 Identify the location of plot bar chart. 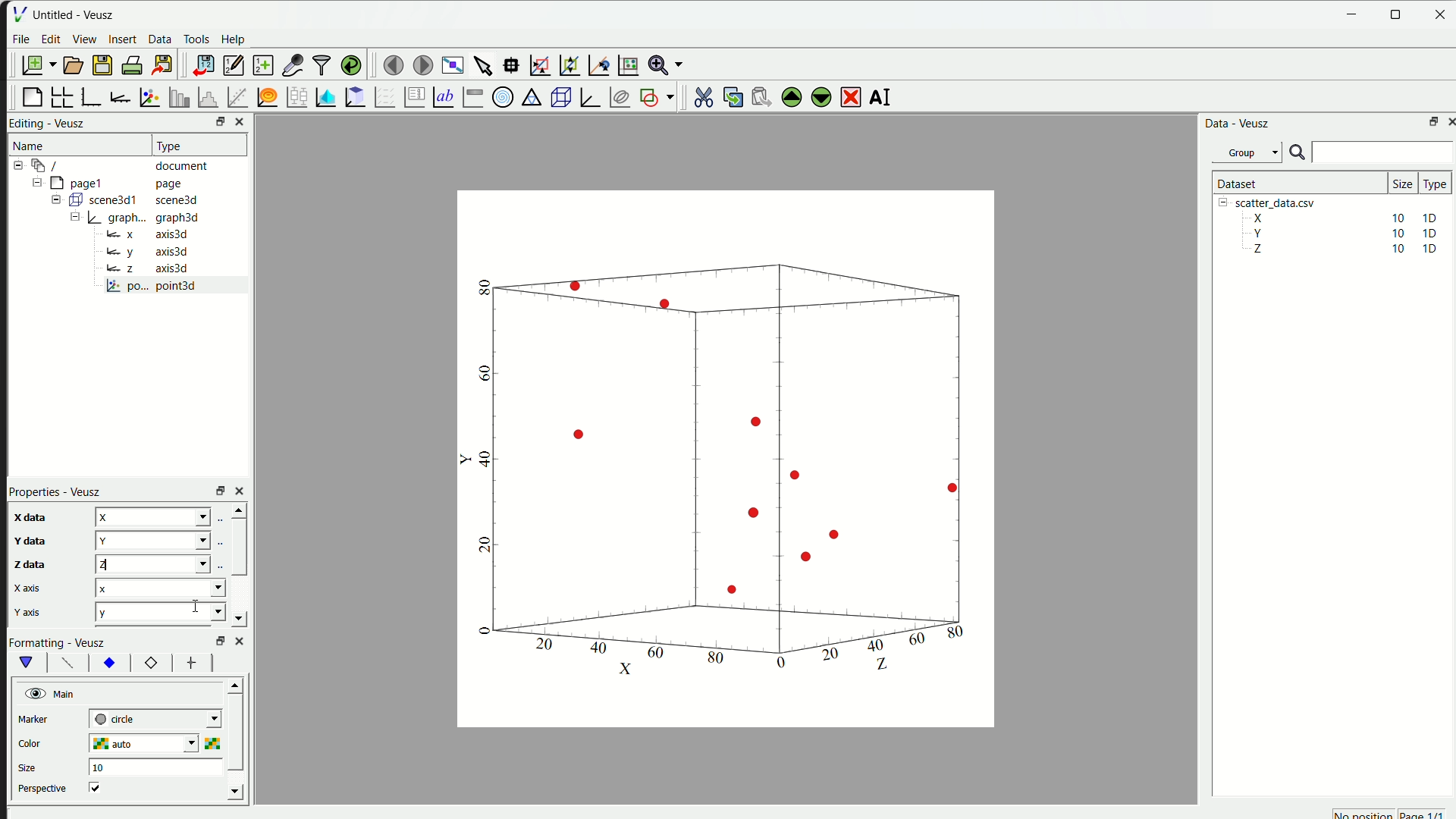
(174, 97).